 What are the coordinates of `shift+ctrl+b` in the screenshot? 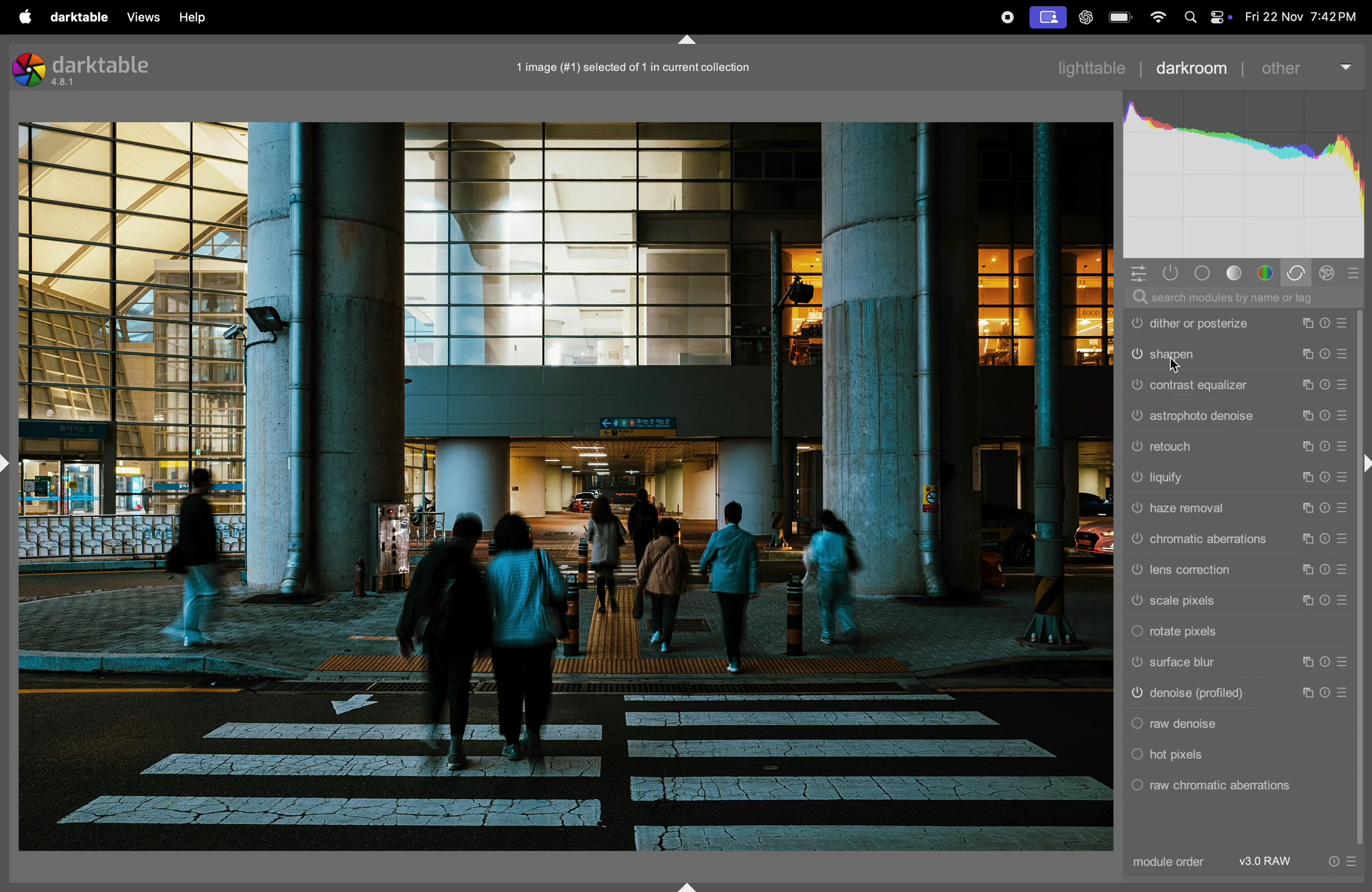 It's located at (687, 886).